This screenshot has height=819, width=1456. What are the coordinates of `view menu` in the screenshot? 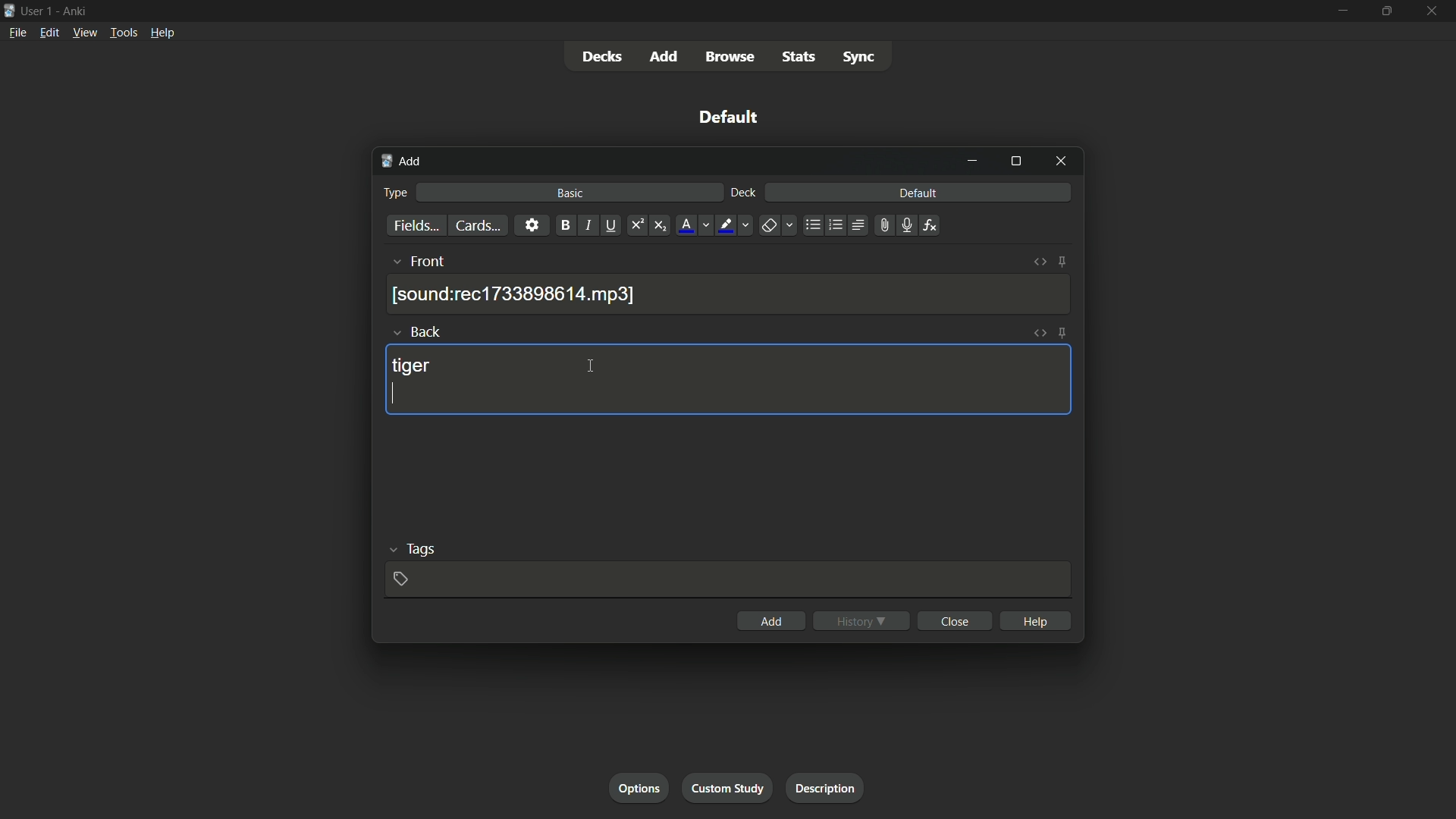 It's located at (85, 33).